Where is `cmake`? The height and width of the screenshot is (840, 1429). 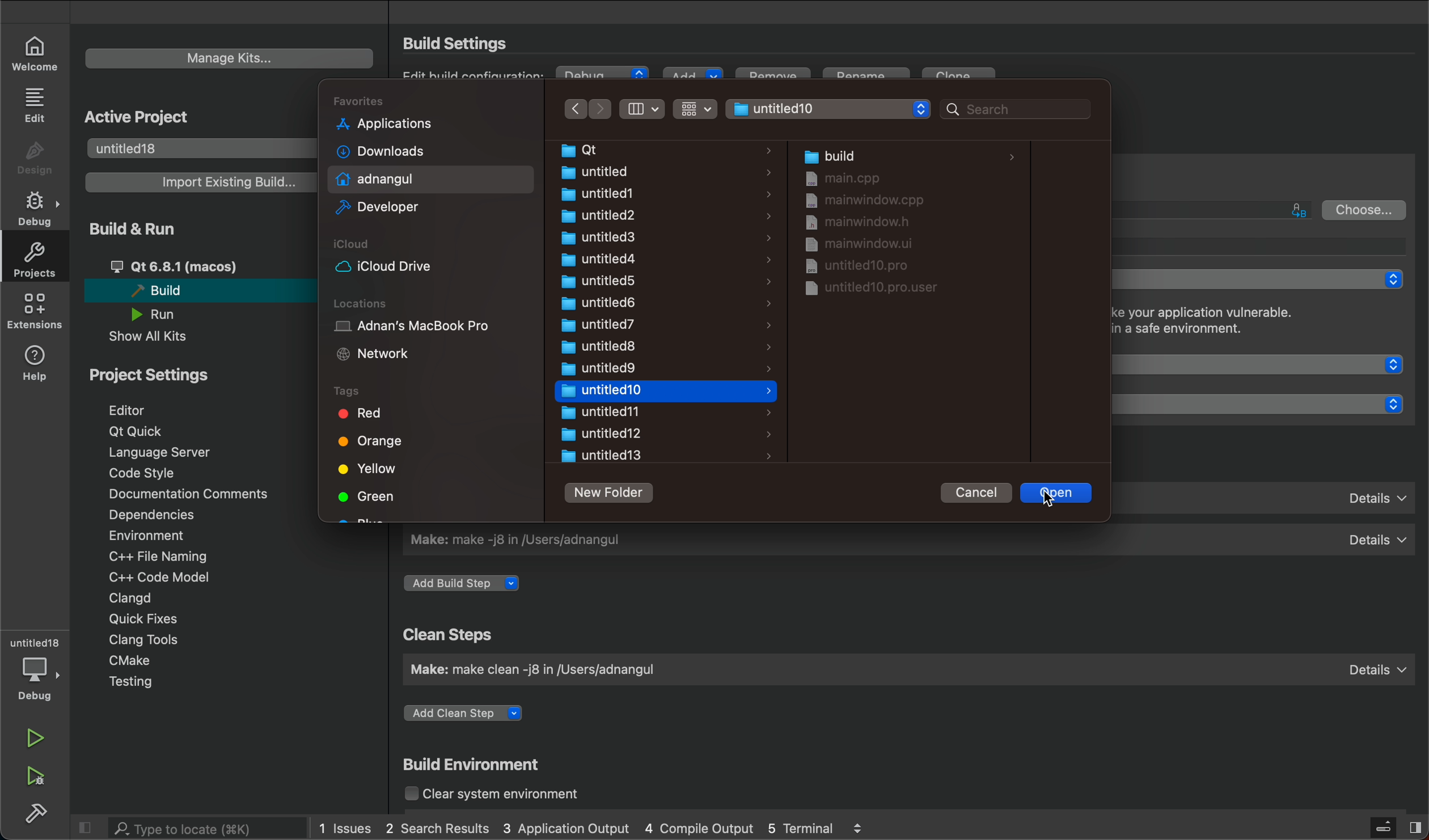
cmake is located at coordinates (133, 660).